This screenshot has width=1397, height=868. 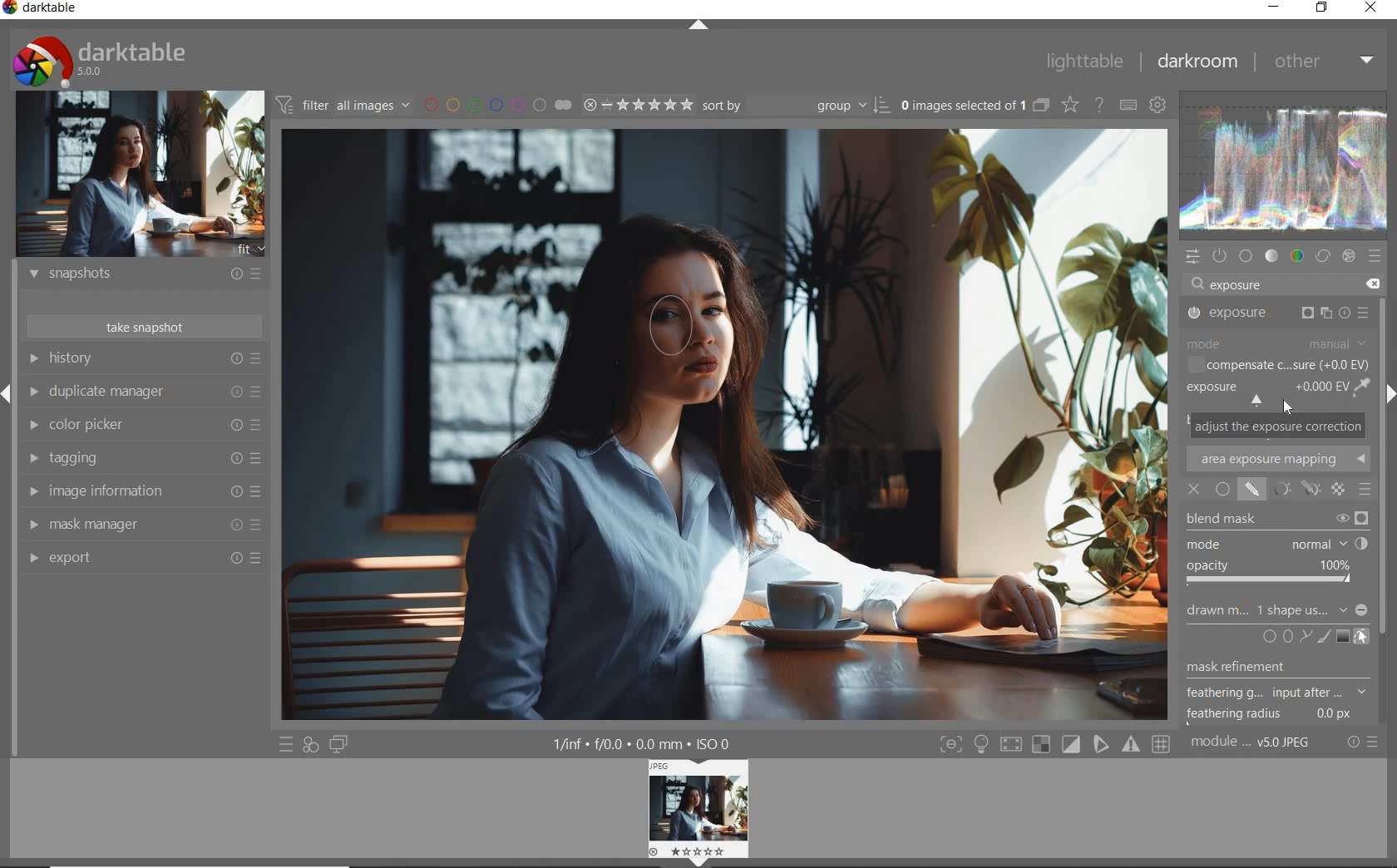 What do you see at coordinates (1360, 637) in the screenshot?
I see `SHOW AND EDIT MASK ELEMNTS` at bounding box center [1360, 637].